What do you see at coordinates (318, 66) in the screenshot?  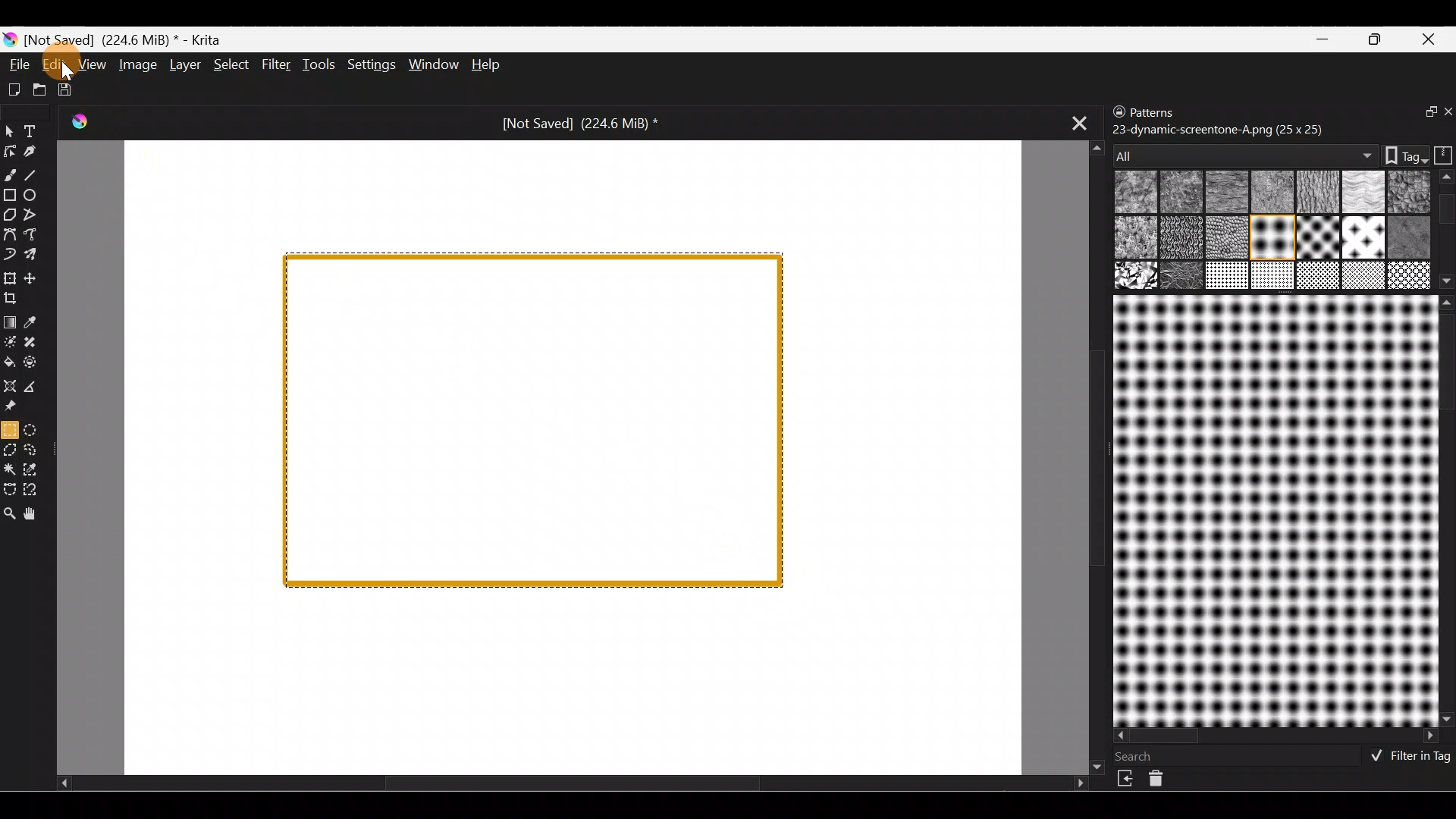 I see `Tools` at bounding box center [318, 66].